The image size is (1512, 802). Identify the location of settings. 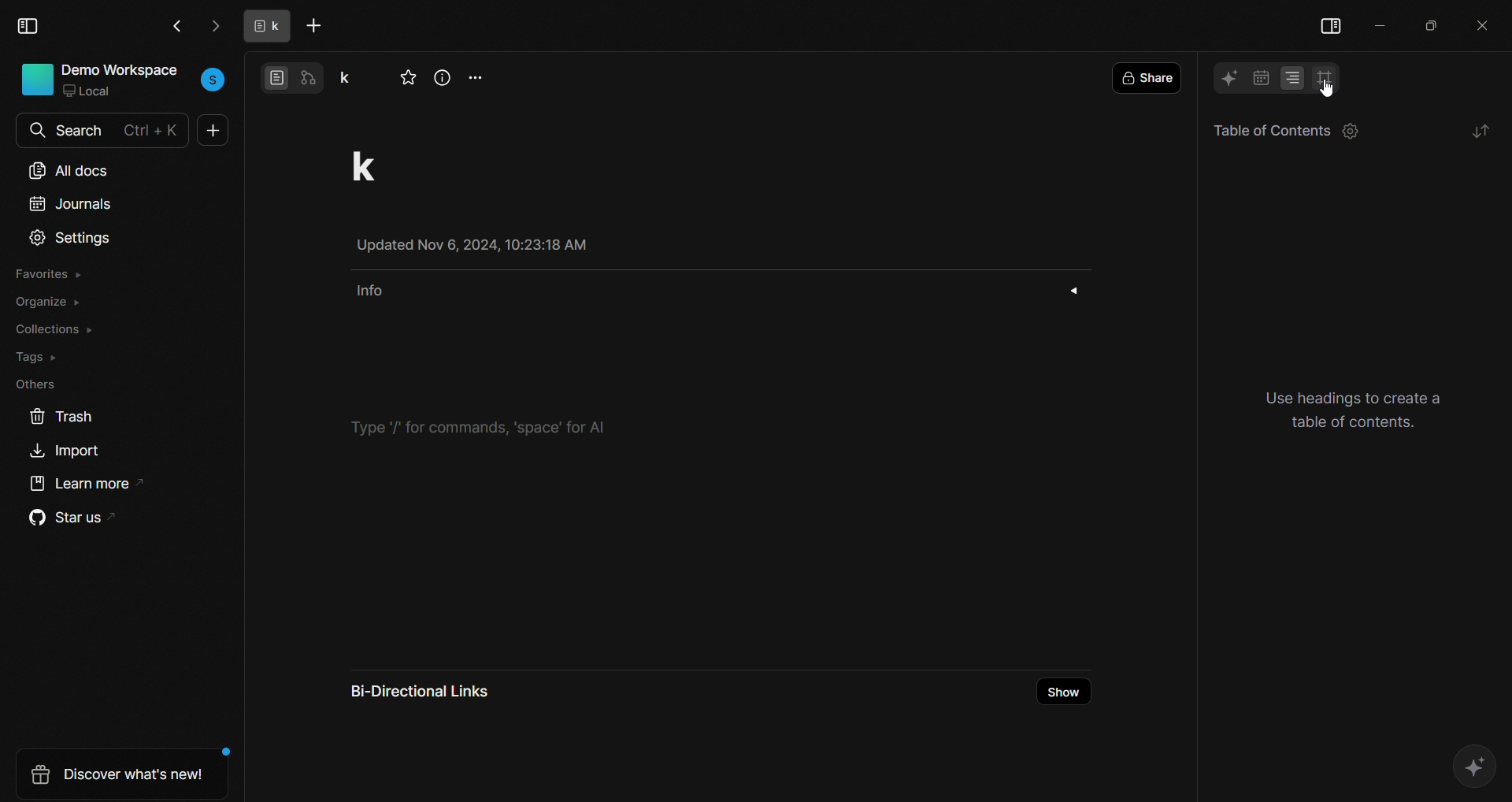
(71, 239).